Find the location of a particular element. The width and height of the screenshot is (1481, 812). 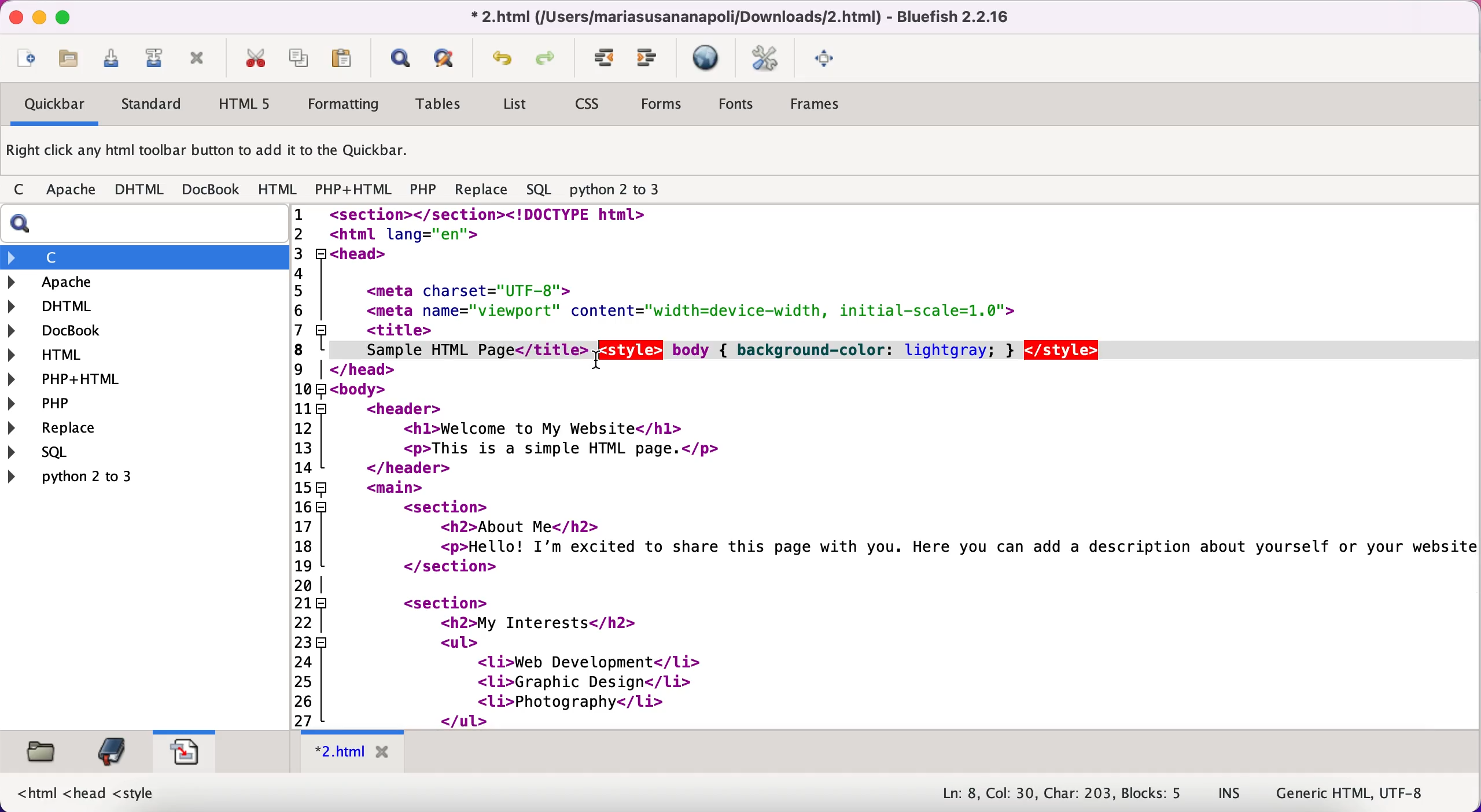

html is located at coordinates (279, 190).